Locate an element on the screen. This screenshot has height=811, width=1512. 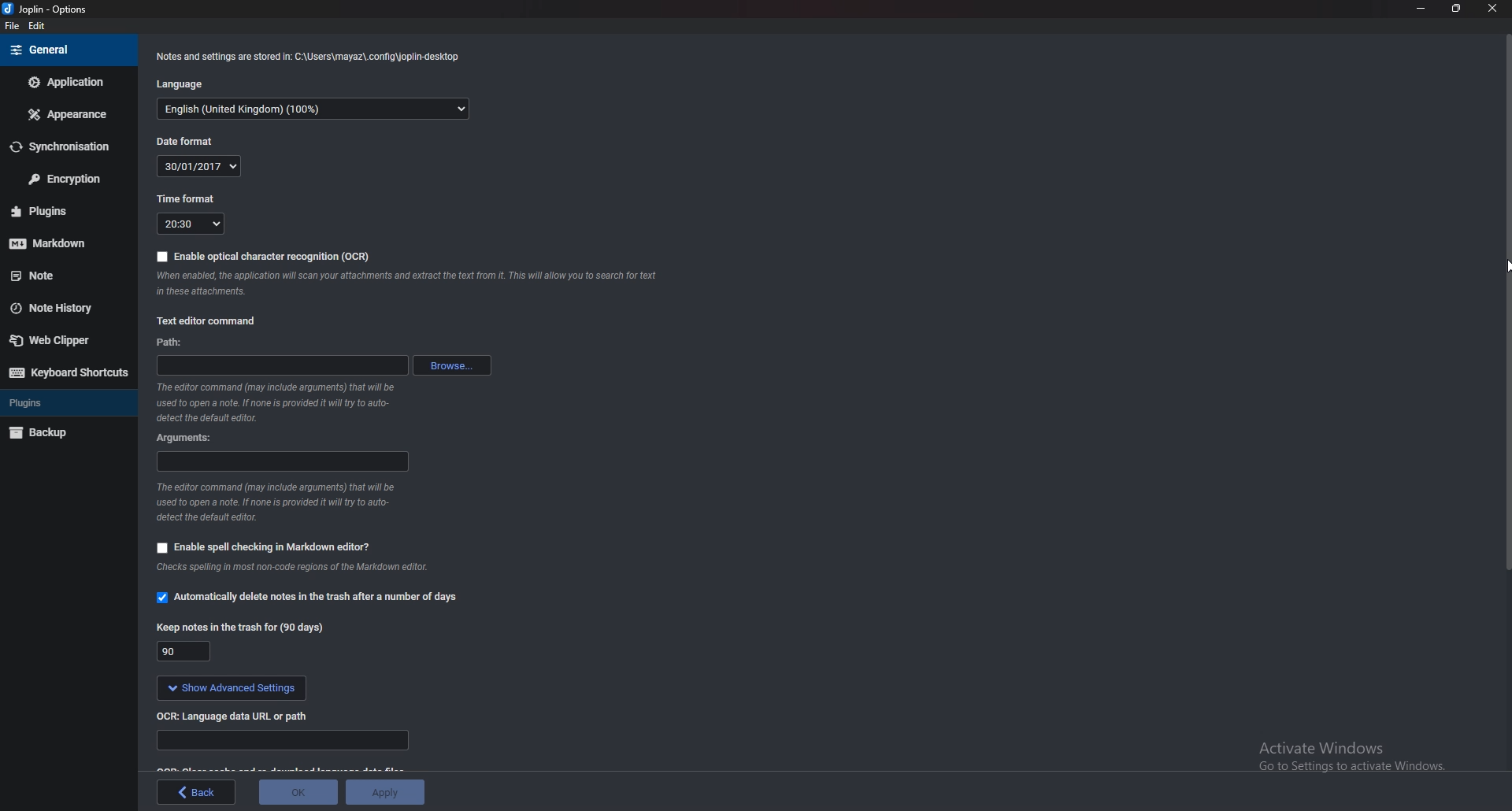
Mark down is located at coordinates (59, 243).